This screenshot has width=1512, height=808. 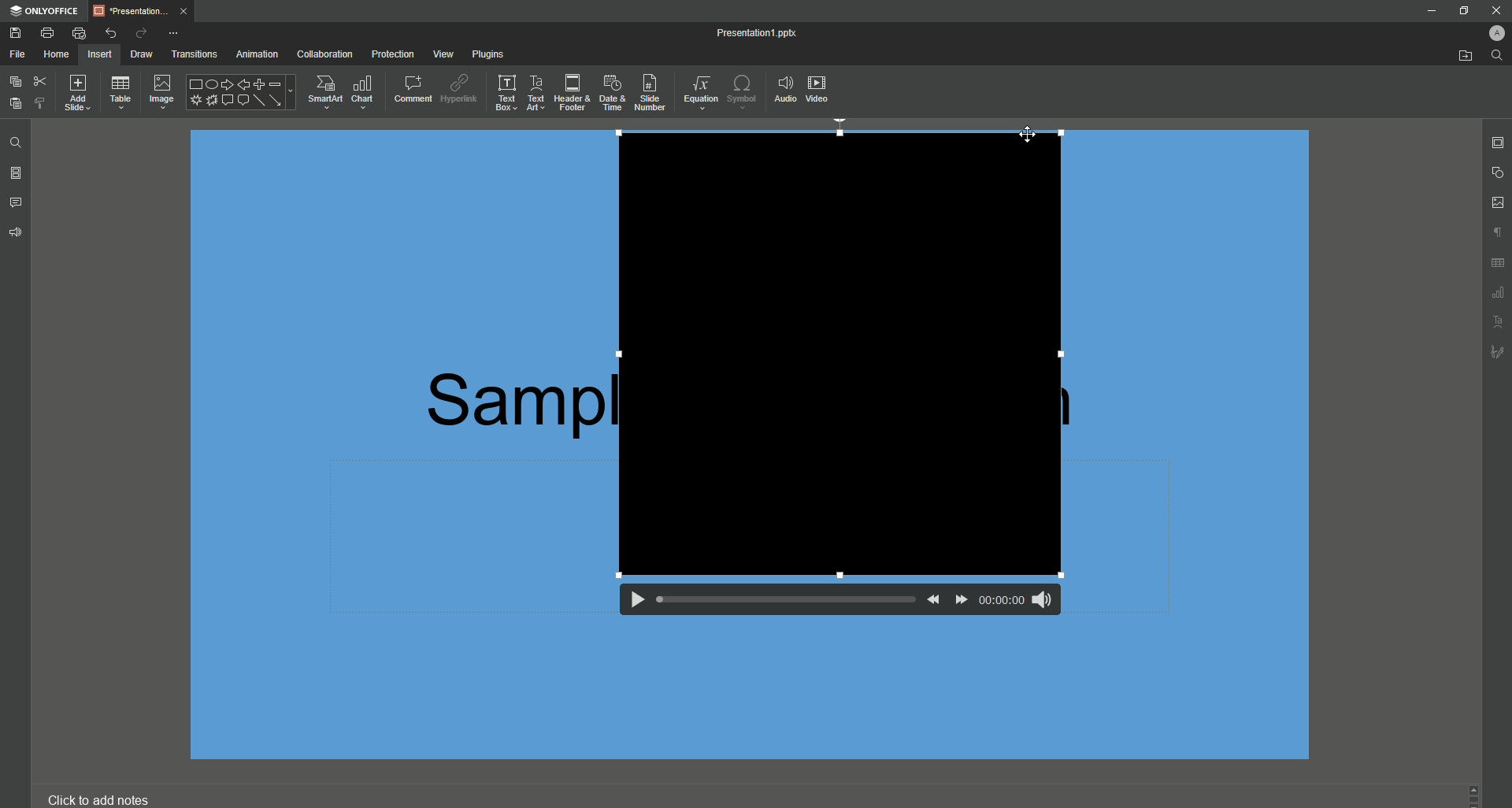 I want to click on Table, so click(x=120, y=93).